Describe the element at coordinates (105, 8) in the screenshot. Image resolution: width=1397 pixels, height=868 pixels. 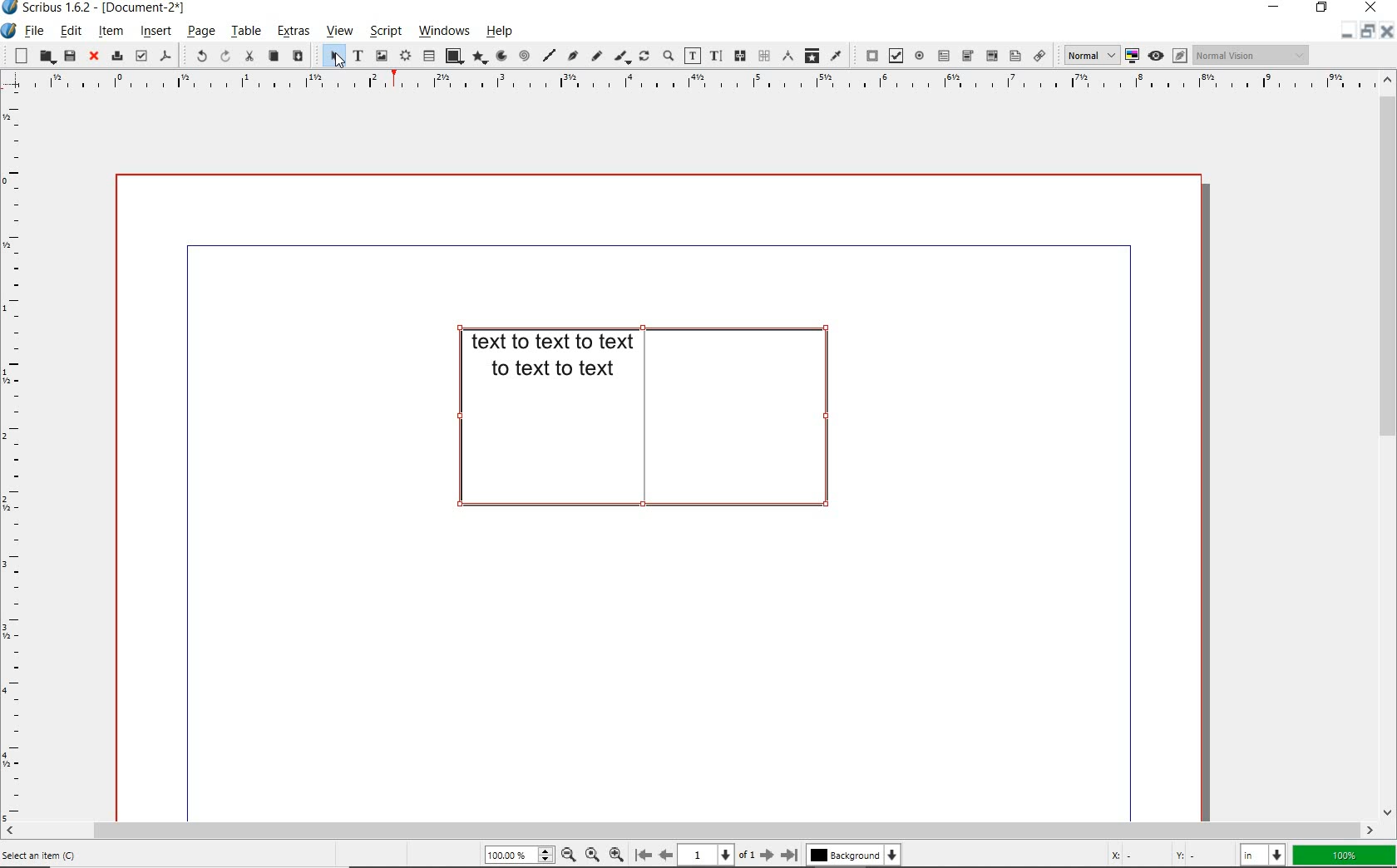
I see ` Scribus 1.6.2 - (Document-2*)` at that location.